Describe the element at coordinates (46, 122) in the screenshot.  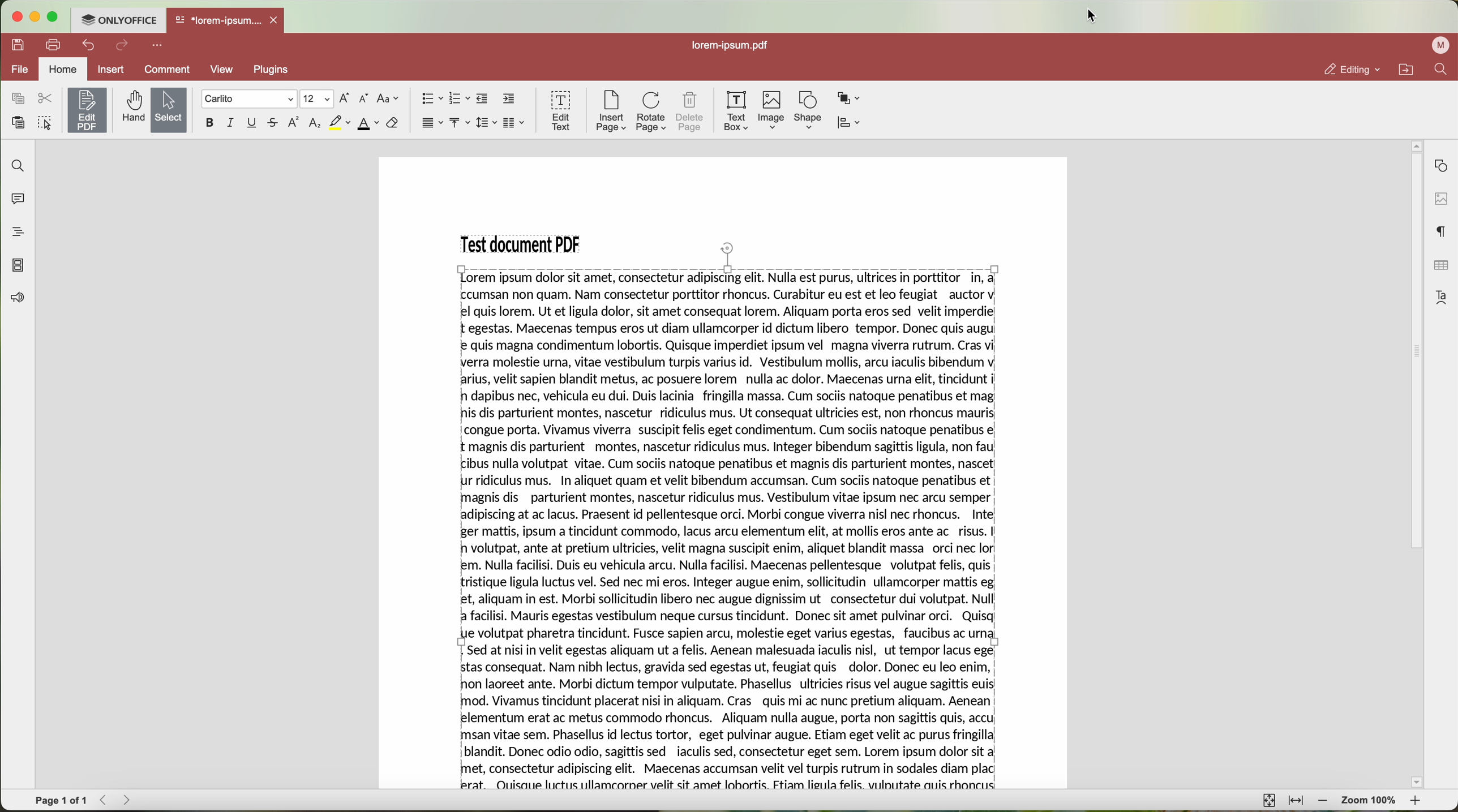
I see `select all` at that location.